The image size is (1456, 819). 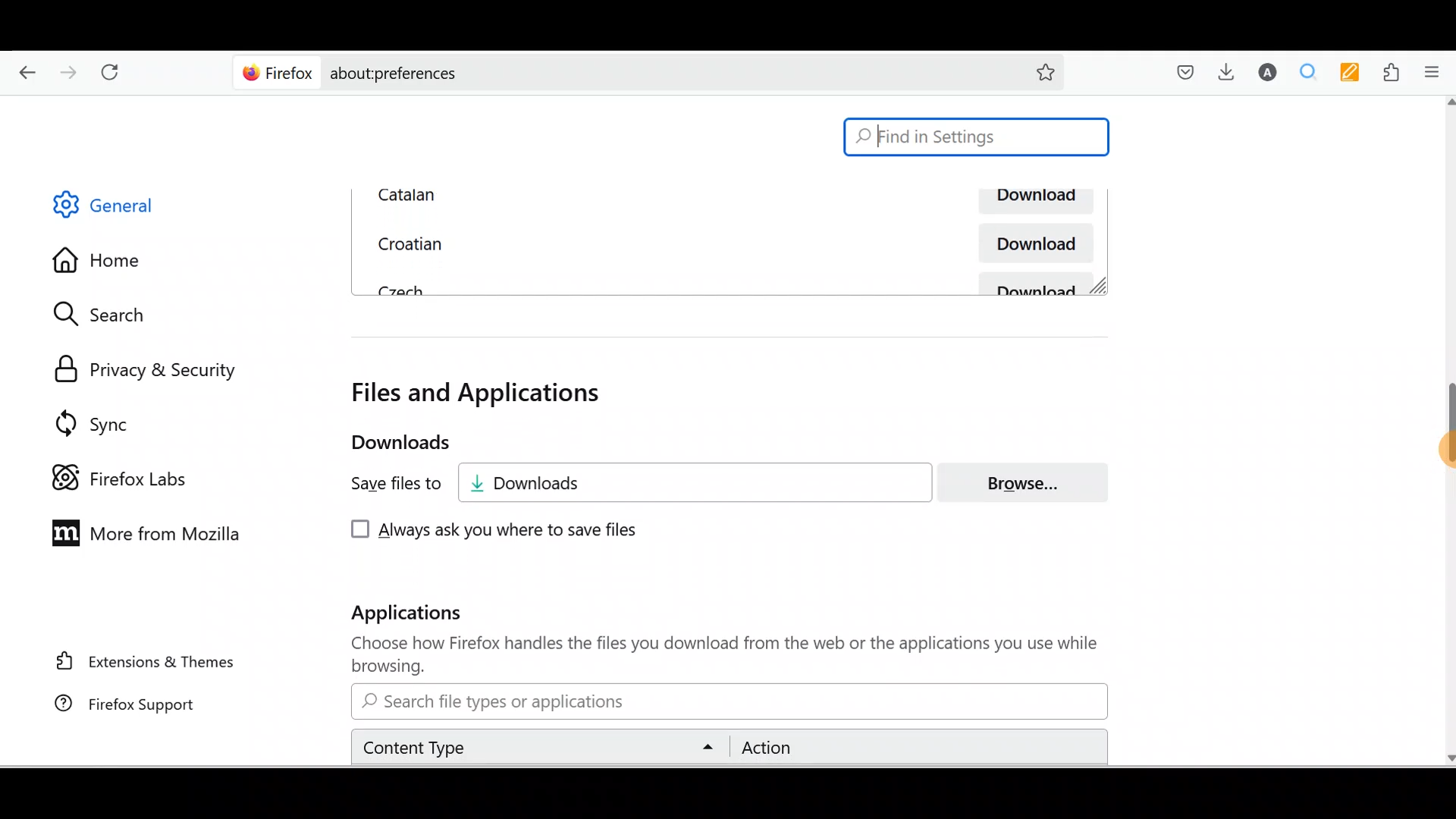 What do you see at coordinates (86, 418) in the screenshot?
I see `Sync` at bounding box center [86, 418].